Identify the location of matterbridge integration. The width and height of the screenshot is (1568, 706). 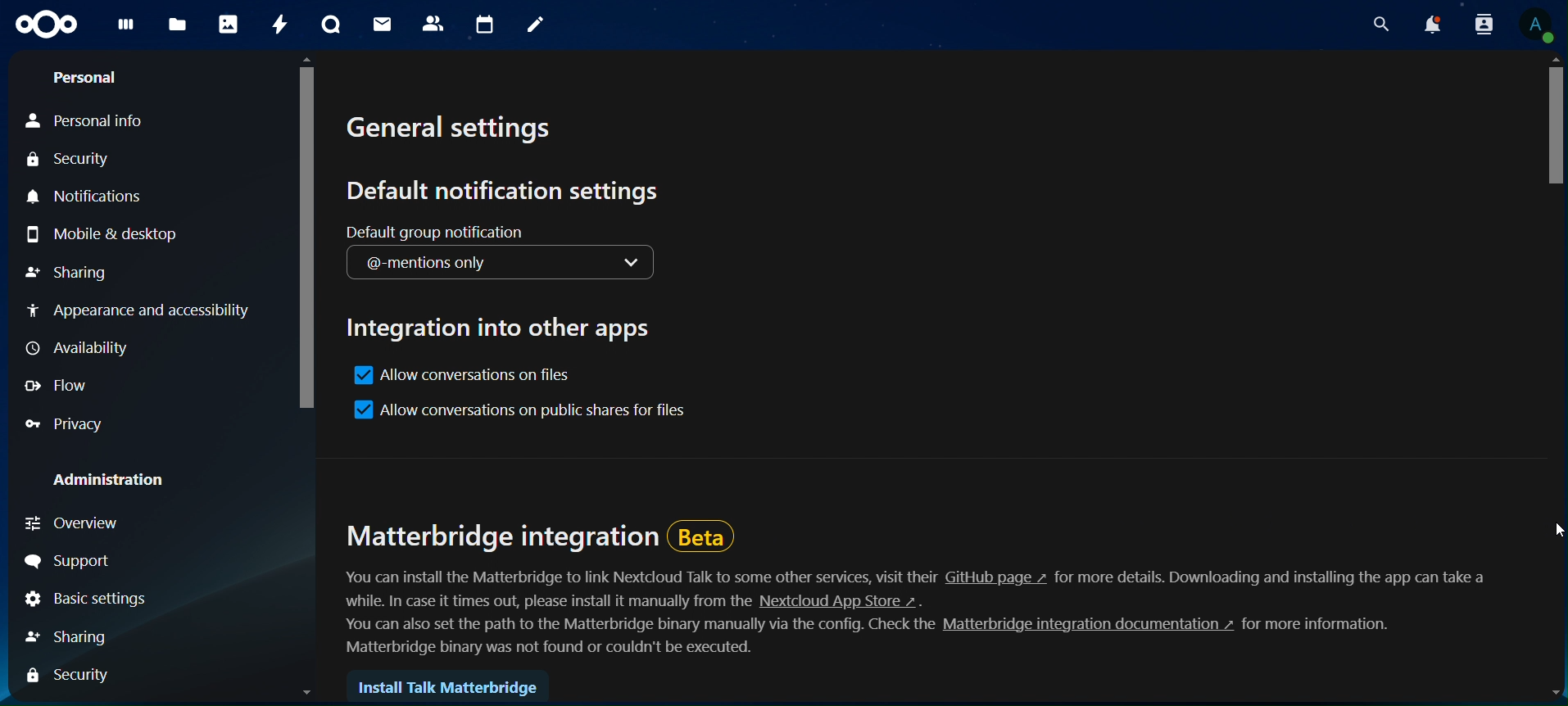
(505, 541).